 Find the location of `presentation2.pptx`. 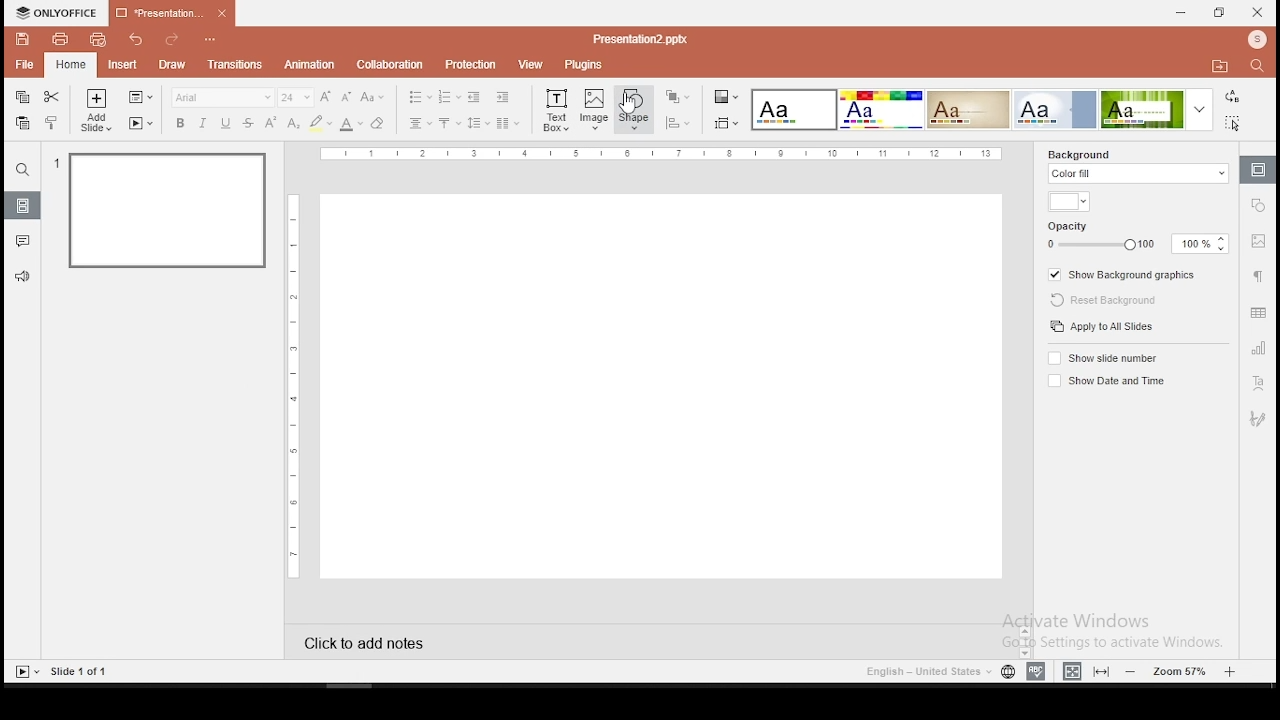

presentation2.pptx is located at coordinates (637, 40).